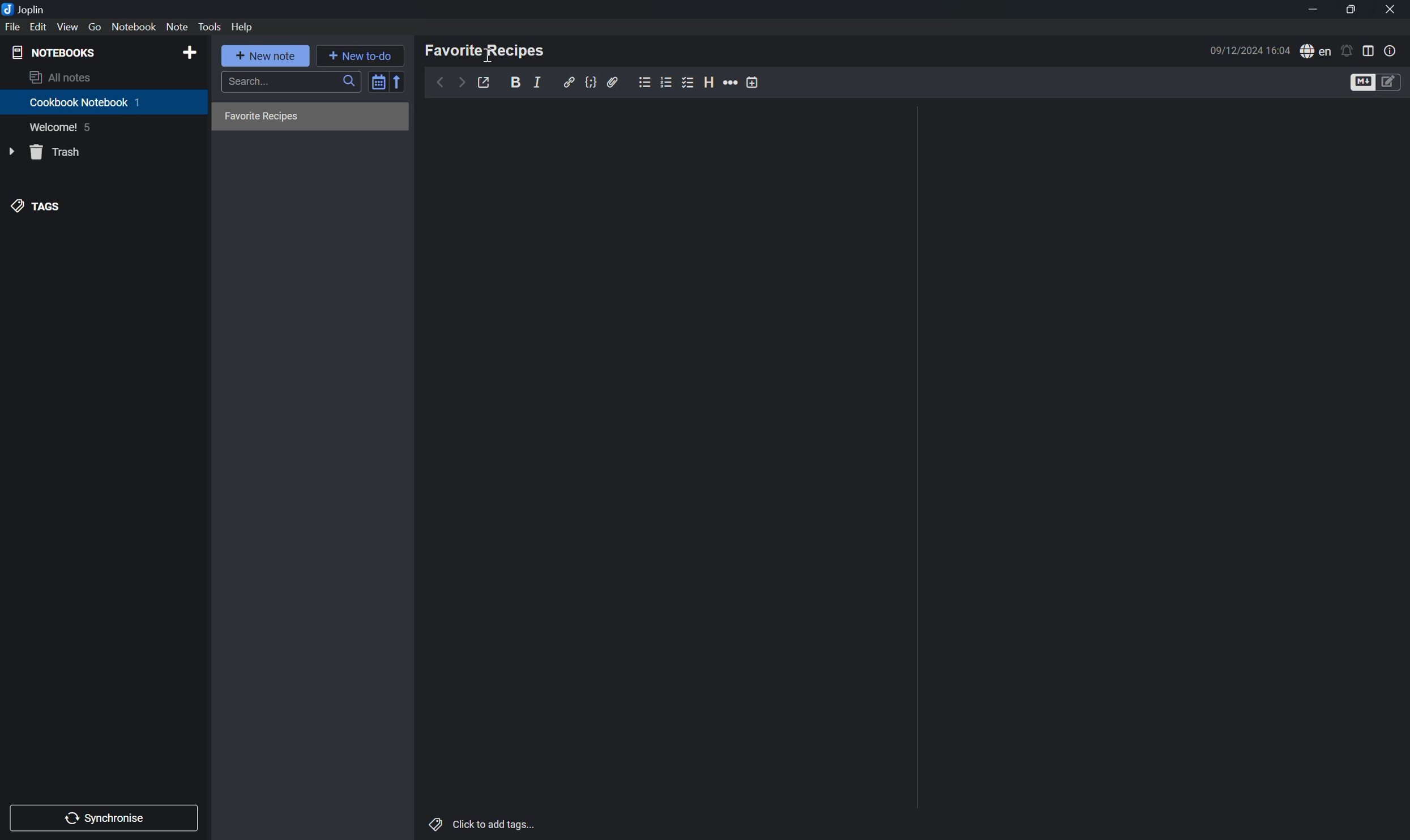 Image resolution: width=1410 pixels, height=840 pixels. Describe the element at coordinates (68, 27) in the screenshot. I see `View` at that location.